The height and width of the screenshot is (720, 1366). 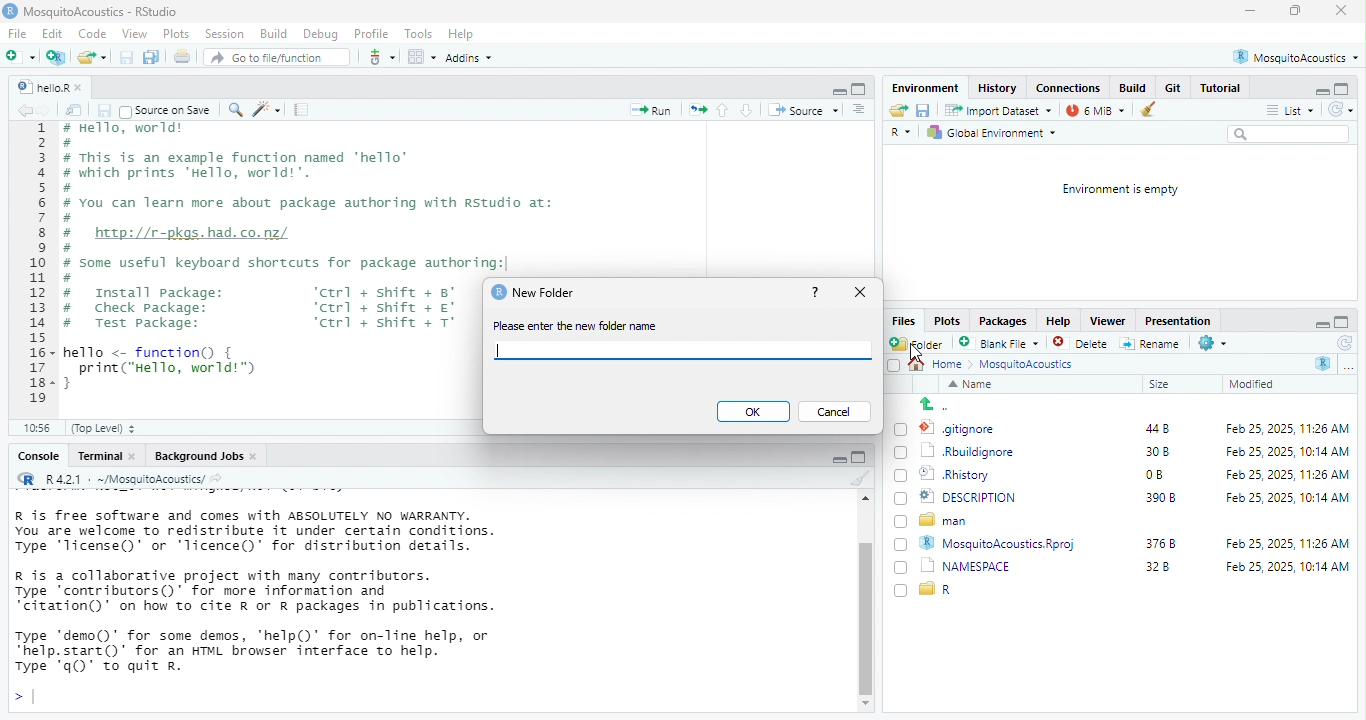 I want to click on option, so click(x=421, y=56).